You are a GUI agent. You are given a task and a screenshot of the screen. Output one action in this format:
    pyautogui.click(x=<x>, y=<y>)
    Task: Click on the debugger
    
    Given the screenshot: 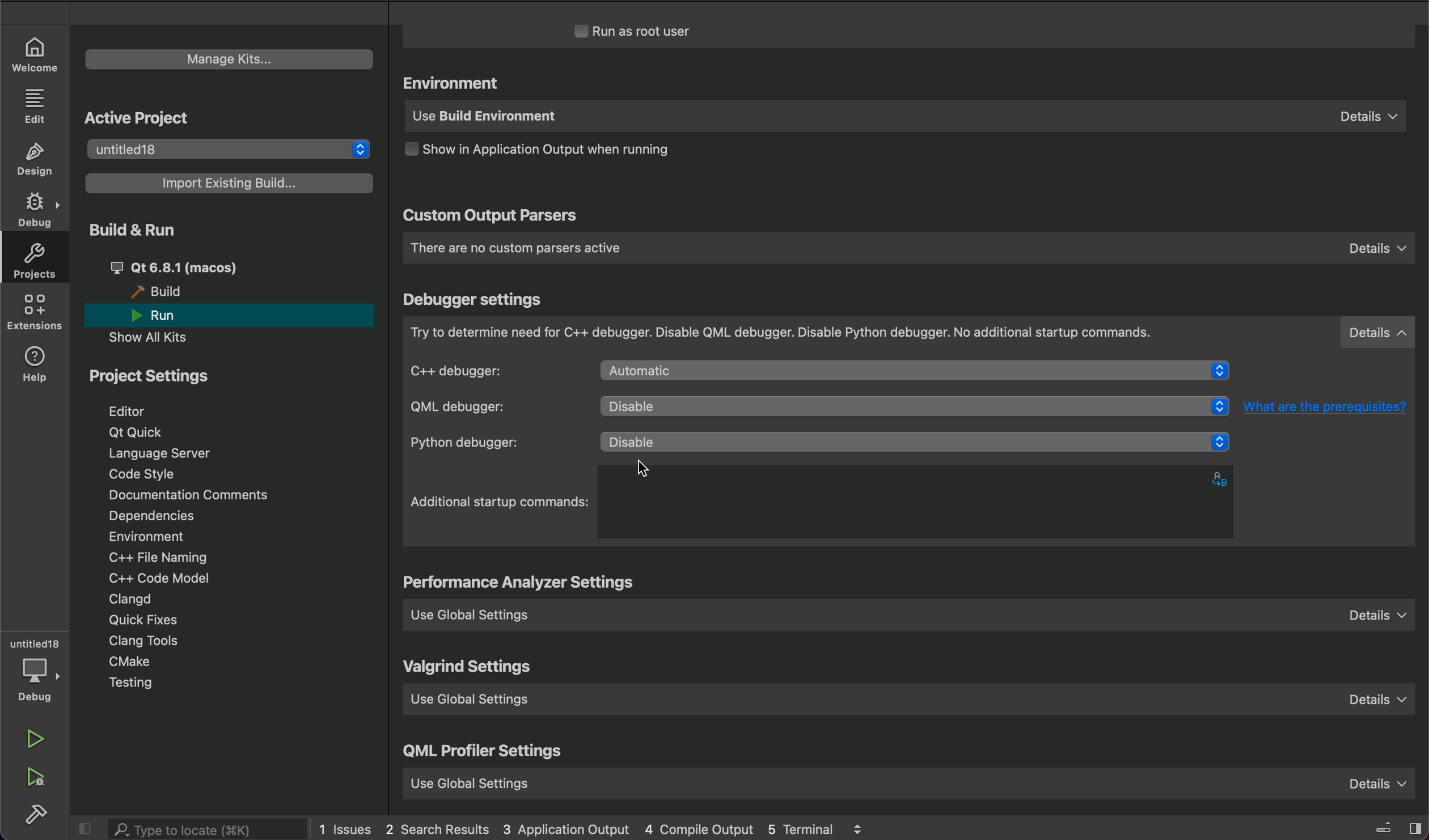 What is the action you would take?
    pyautogui.click(x=910, y=333)
    